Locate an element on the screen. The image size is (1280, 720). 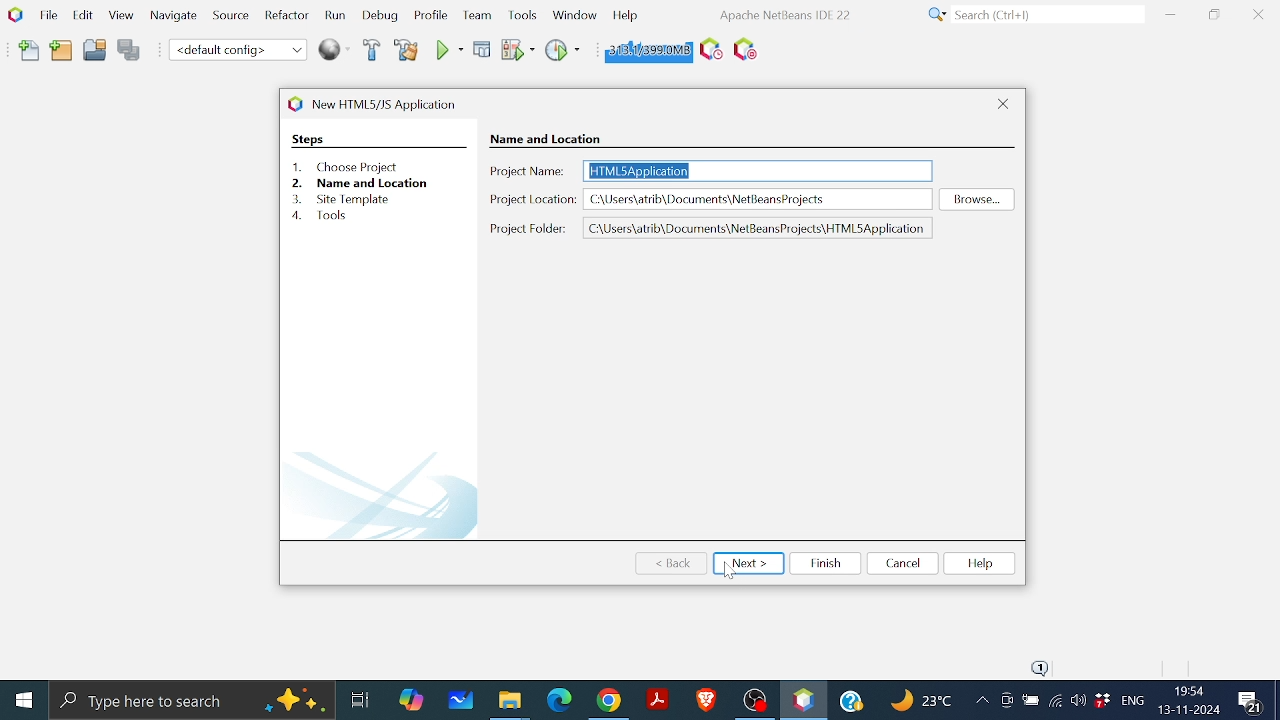
Search is located at coordinates (1032, 15).